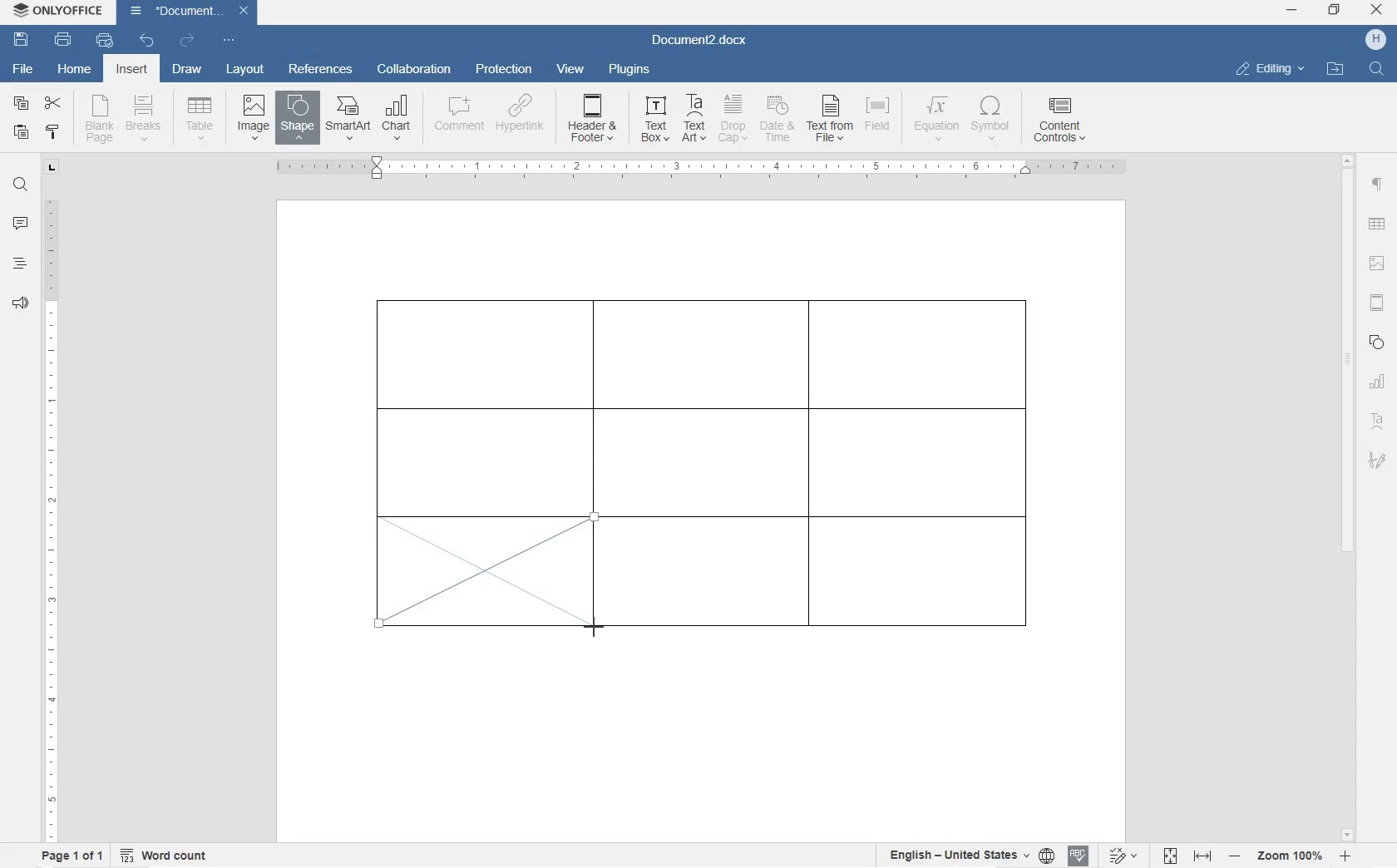 This screenshot has width=1397, height=868. Describe the element at coordinates (21, 224) in the screenshot. I see `comment` at that location.